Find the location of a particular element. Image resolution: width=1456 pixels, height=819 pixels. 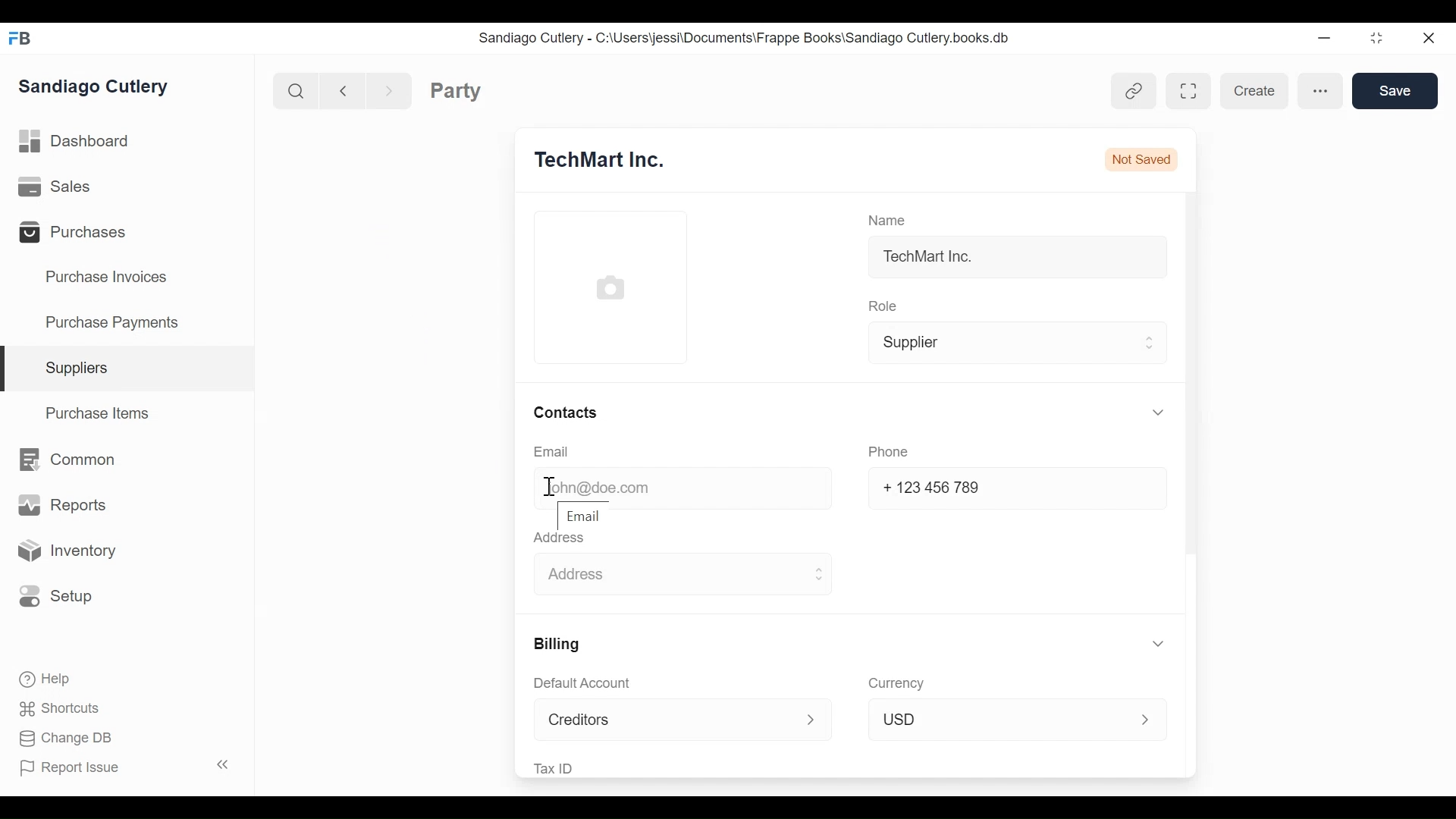

Save is located at coordinates (1396, 93).